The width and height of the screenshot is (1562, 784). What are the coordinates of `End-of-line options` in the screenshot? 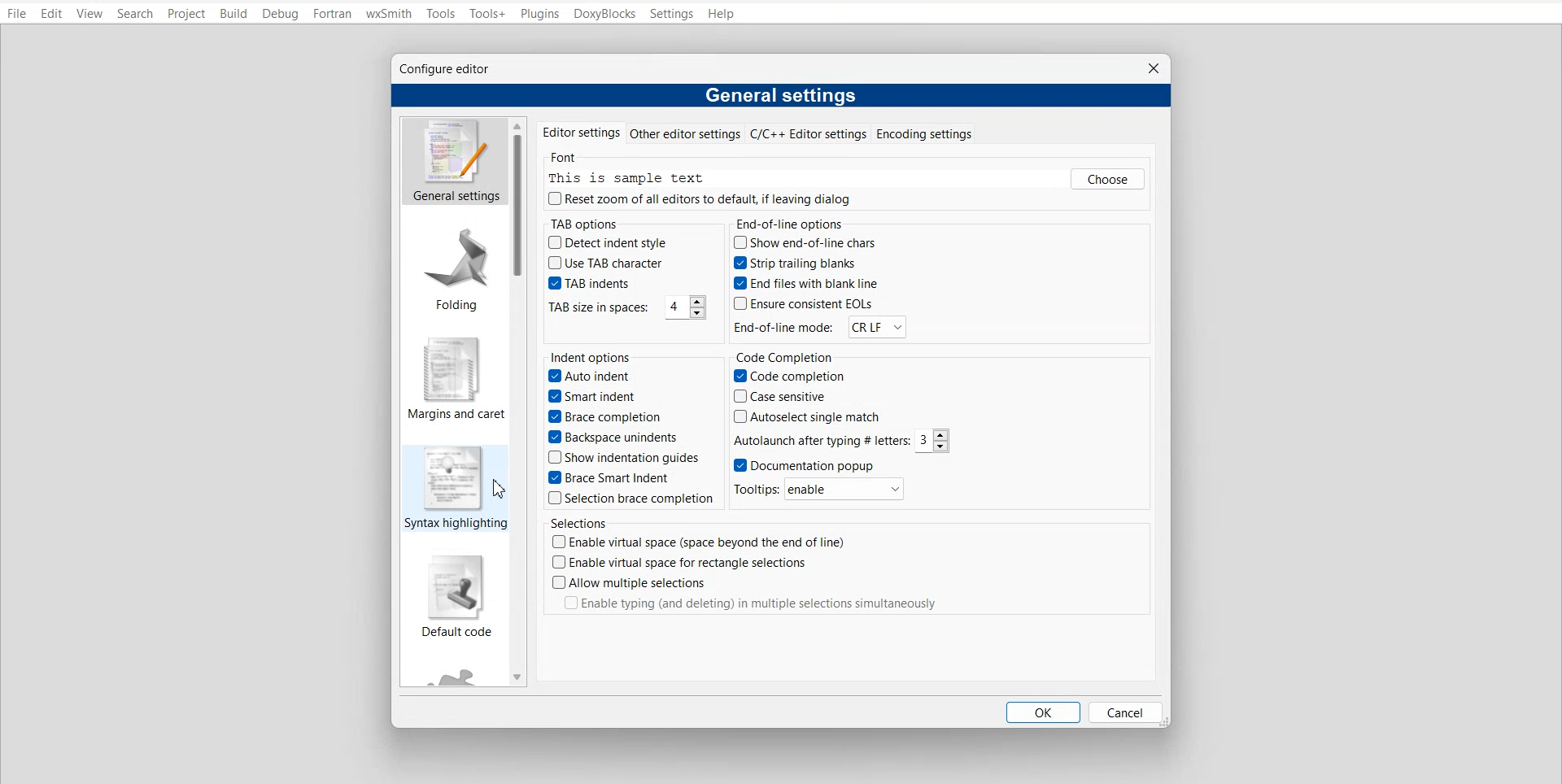 It's located at (789, 224).